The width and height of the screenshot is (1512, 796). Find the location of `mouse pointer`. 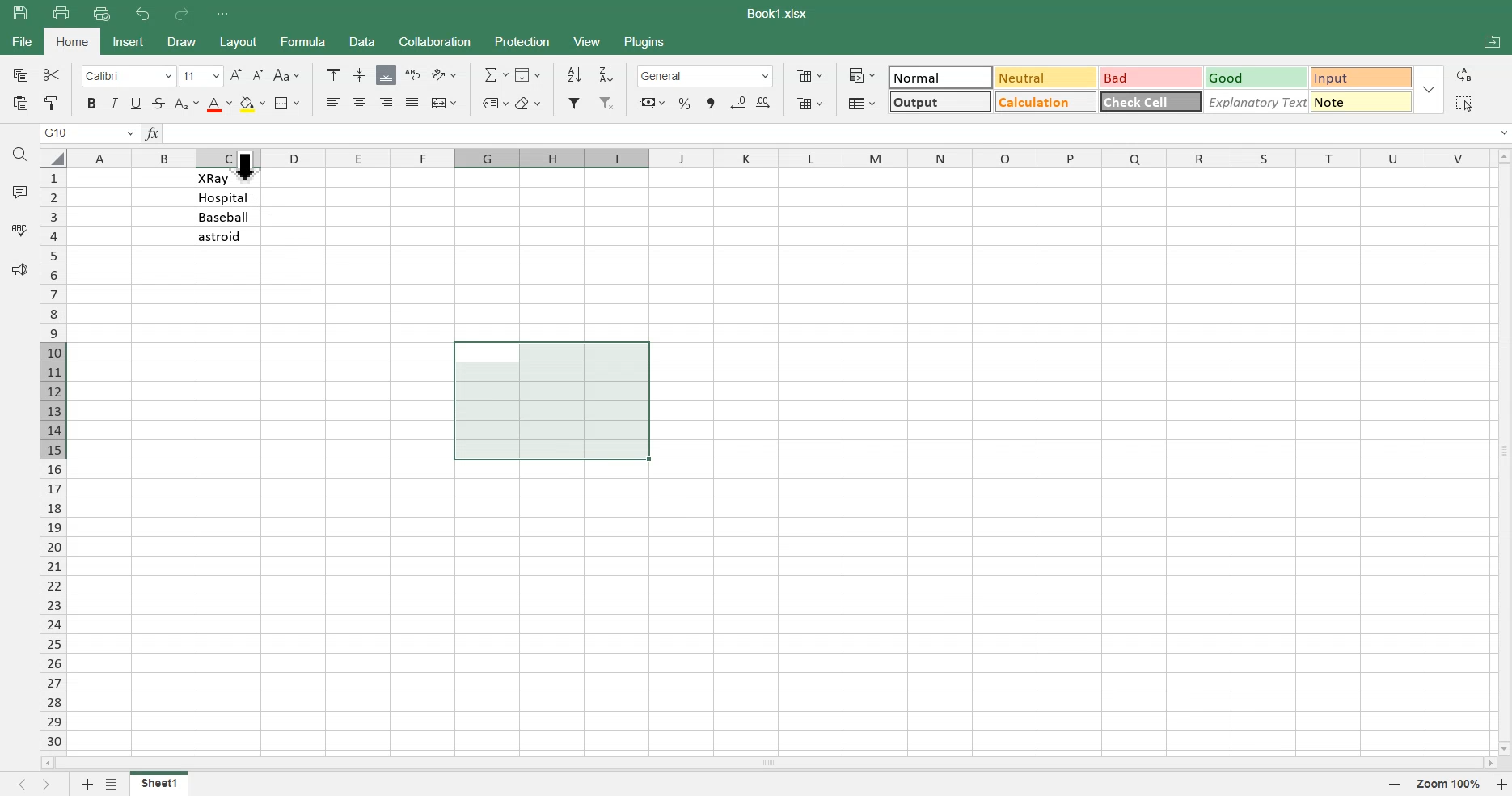

mouse pointer is located at coordinates (249, 167).